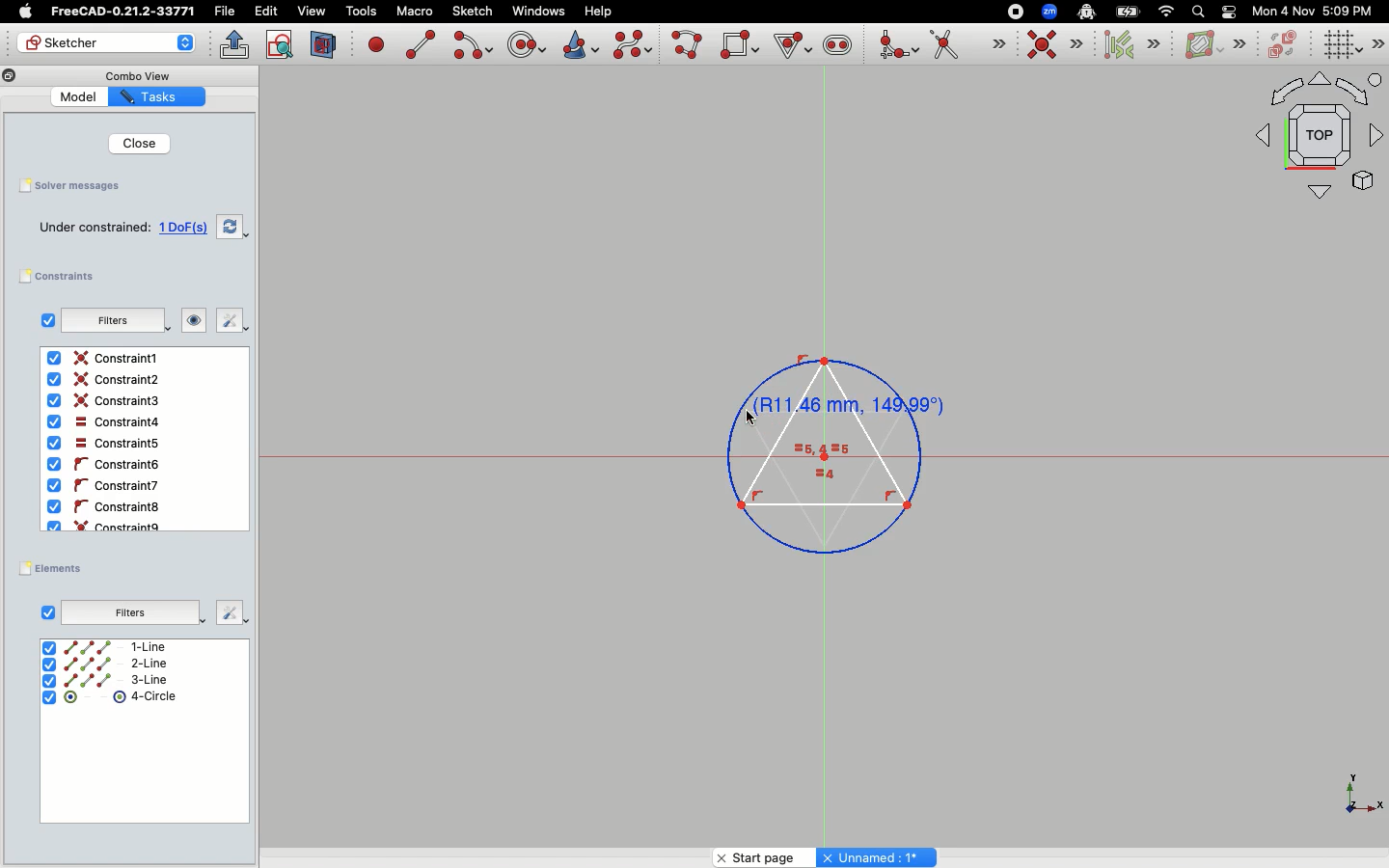 This screenshot has width=1389, height=868. I want to click on Sketch, so click(474, 12).